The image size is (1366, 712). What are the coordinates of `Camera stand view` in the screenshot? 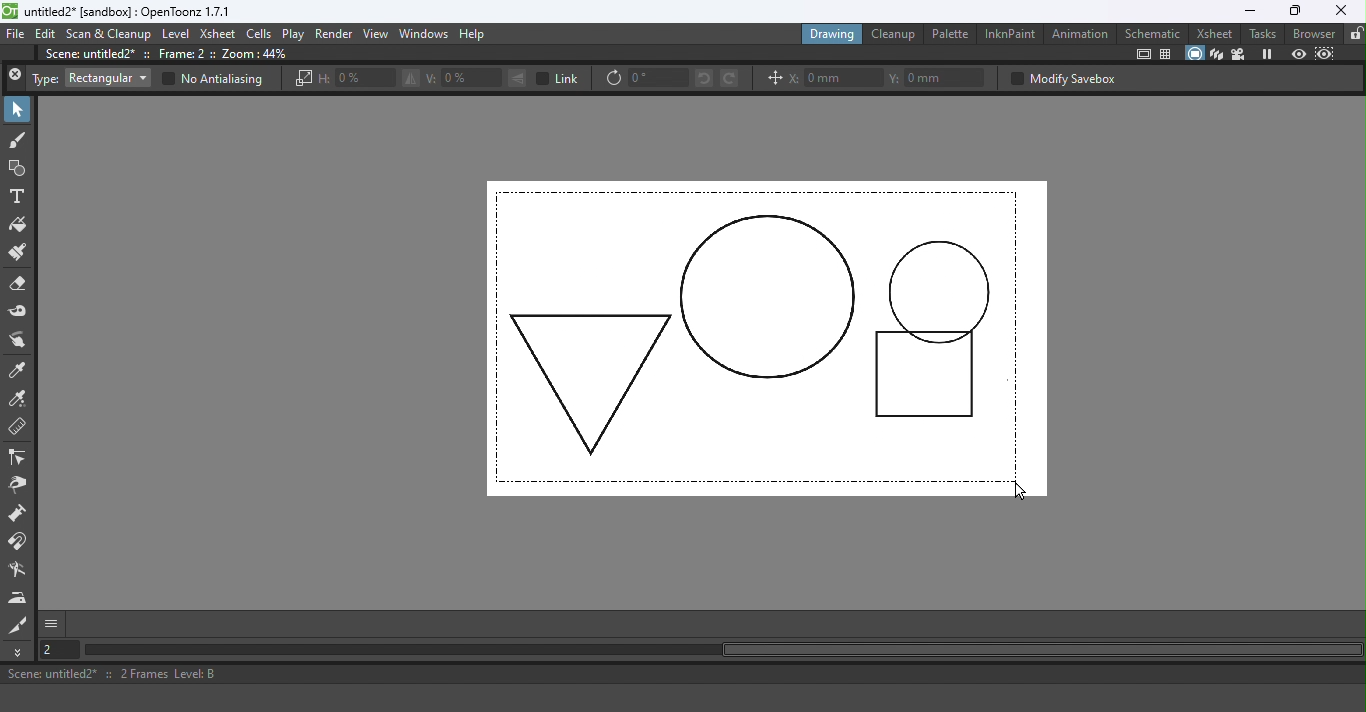 It's located at (1193, 53).